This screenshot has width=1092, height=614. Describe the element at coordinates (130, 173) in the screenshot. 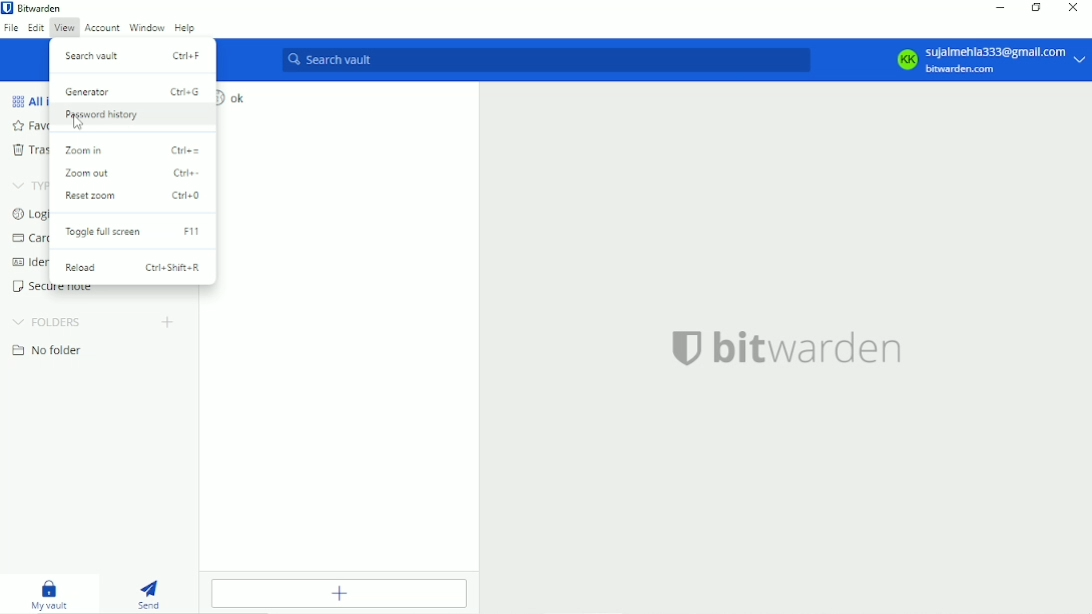

I see `Zoom out` at that location.